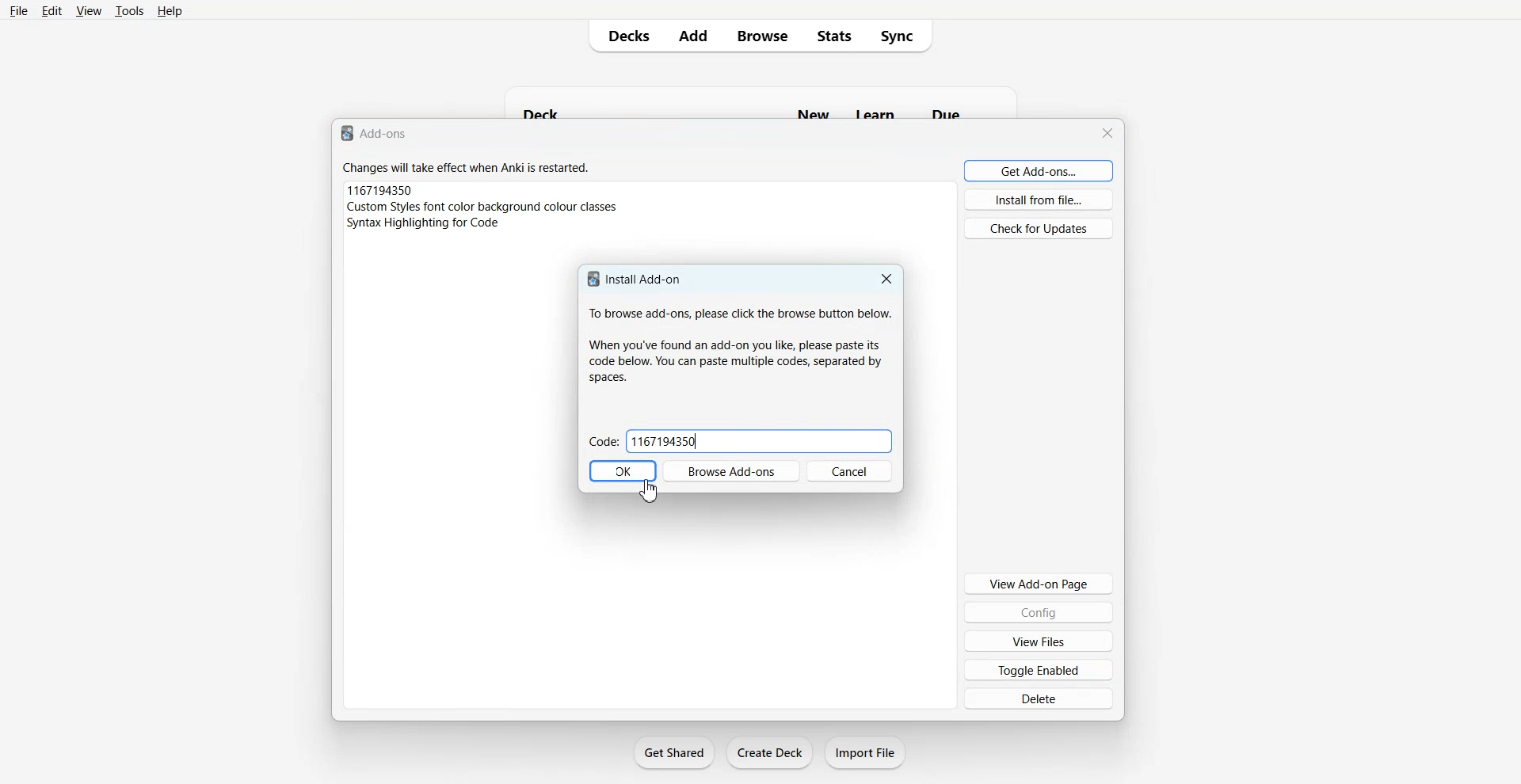 This screenshot has width=1521, height=784. What do you see at coordinates (19, 10) in the screenshot?
I see `File` at bounding box center [19, 10].